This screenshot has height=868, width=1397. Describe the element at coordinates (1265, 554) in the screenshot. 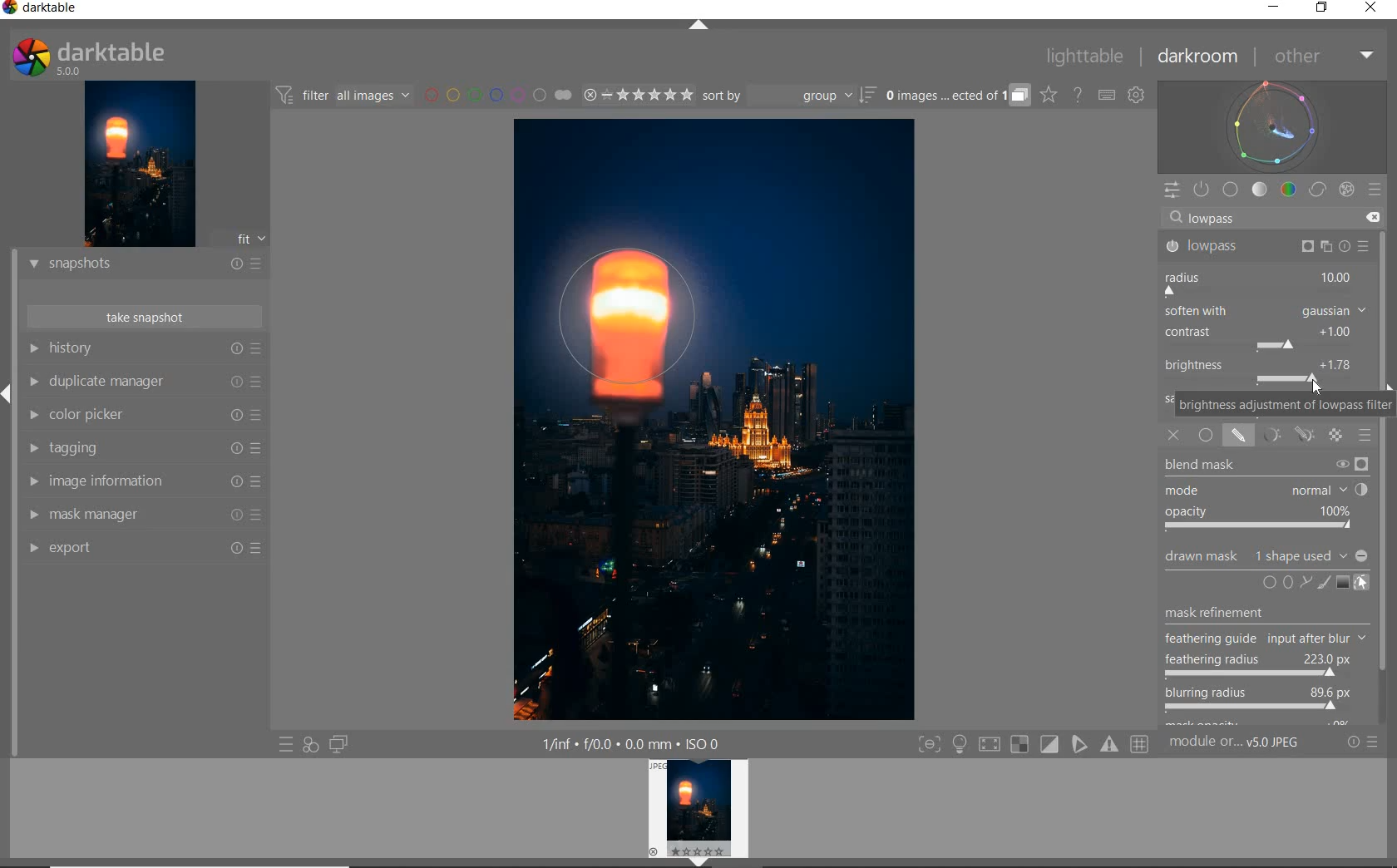

I see `DRAWN AMSK` at that location.